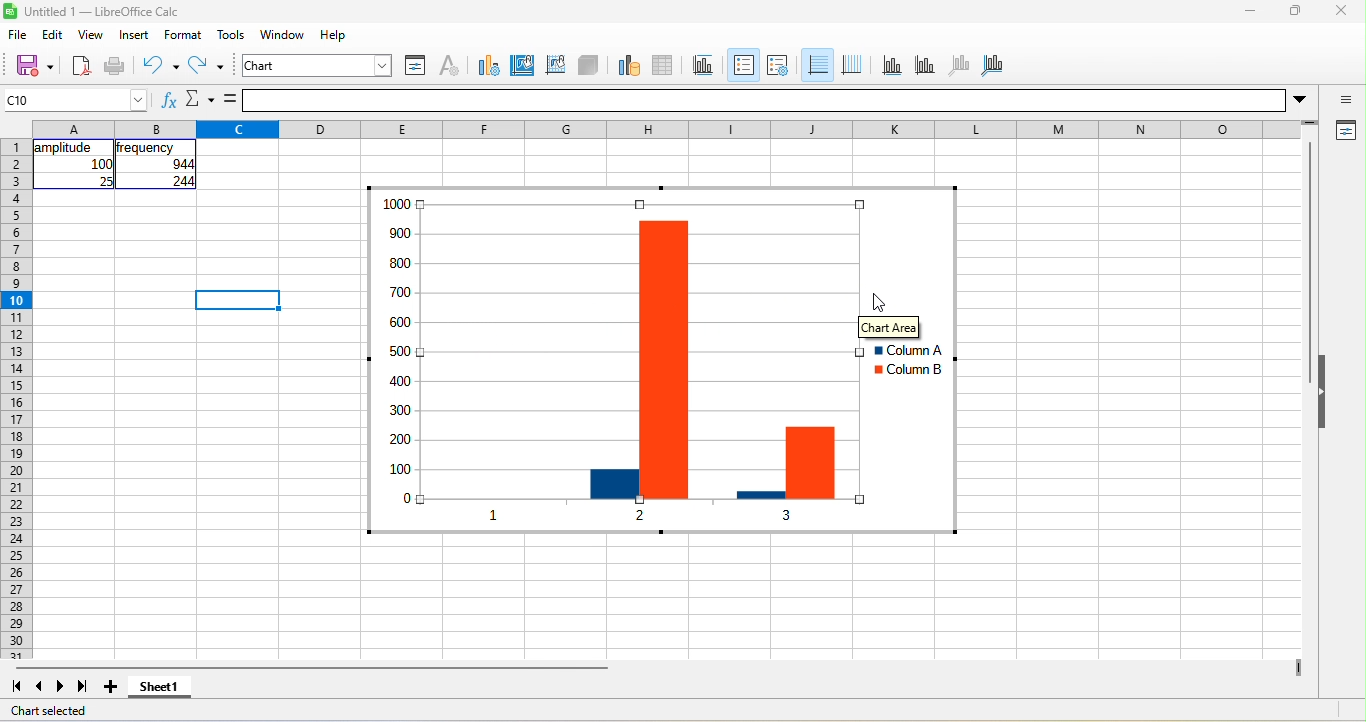 This screenshot has width=1366, height=722. I want to click on horizontal grids, so click(816, 66).